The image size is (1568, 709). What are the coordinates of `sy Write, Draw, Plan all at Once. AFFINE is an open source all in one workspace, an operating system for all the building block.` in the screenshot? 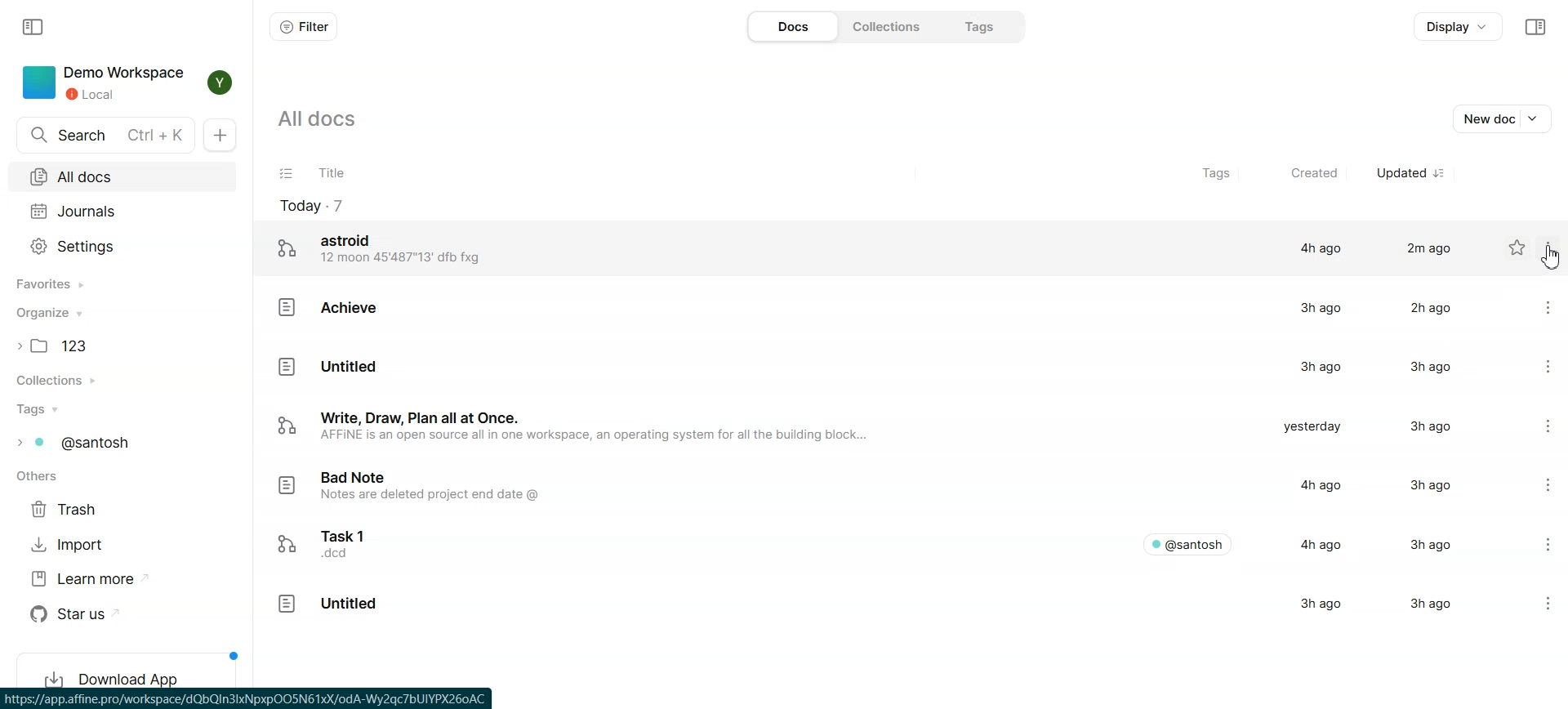 It's located at (575, 429).